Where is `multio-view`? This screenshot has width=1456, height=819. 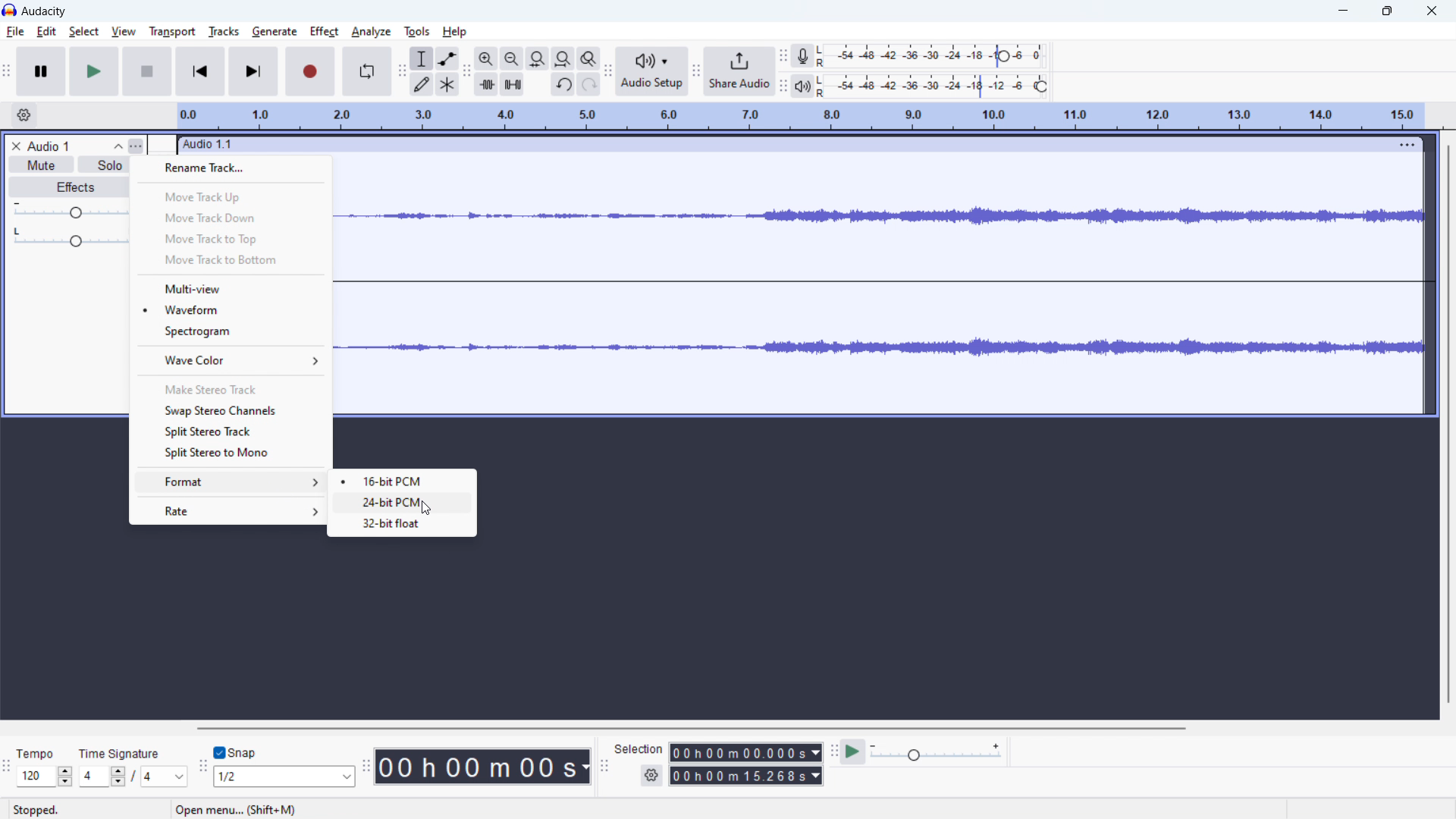
multio-view is located at coordinates (231, 287).